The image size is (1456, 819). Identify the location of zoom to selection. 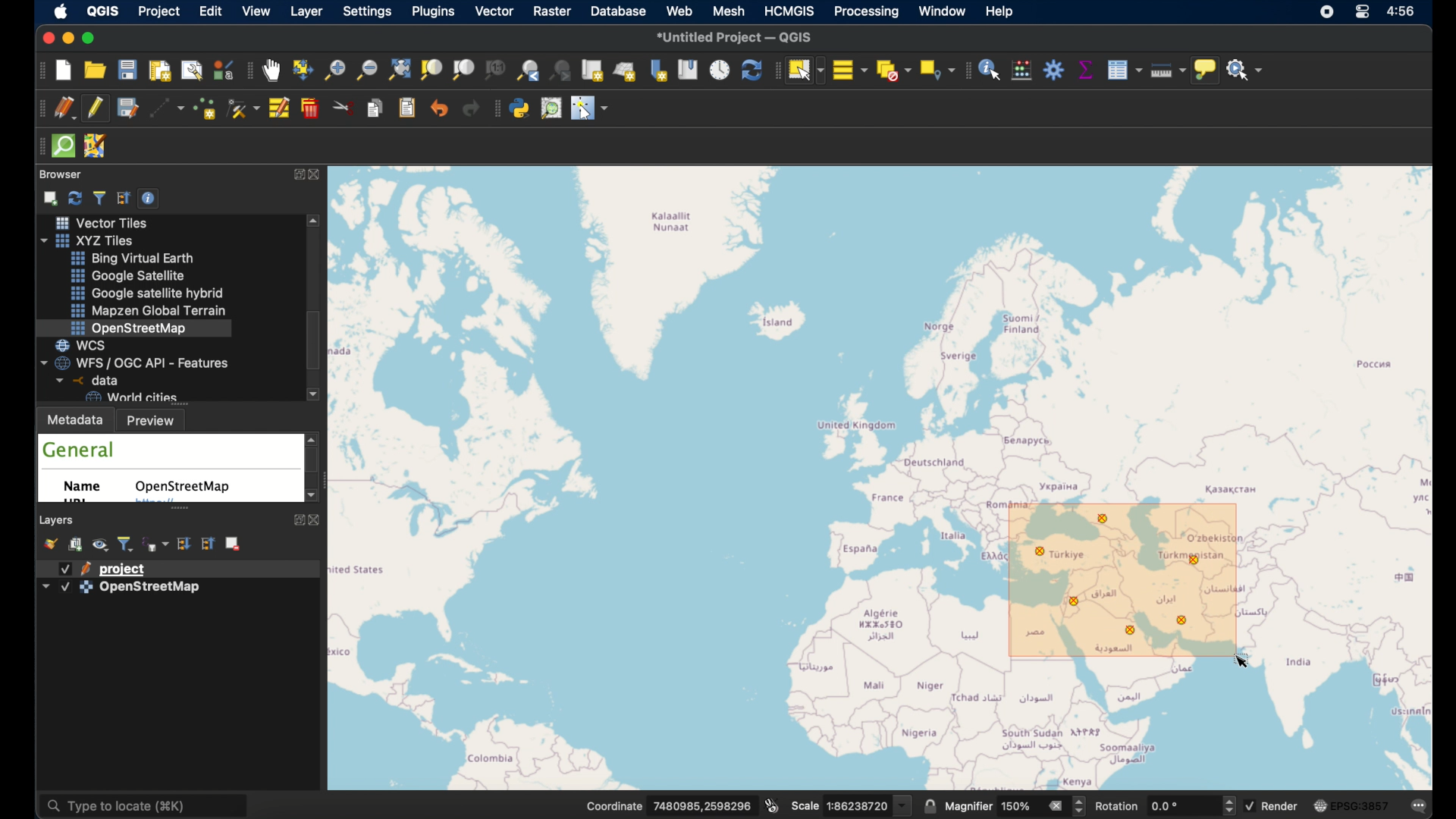
(435, 70).